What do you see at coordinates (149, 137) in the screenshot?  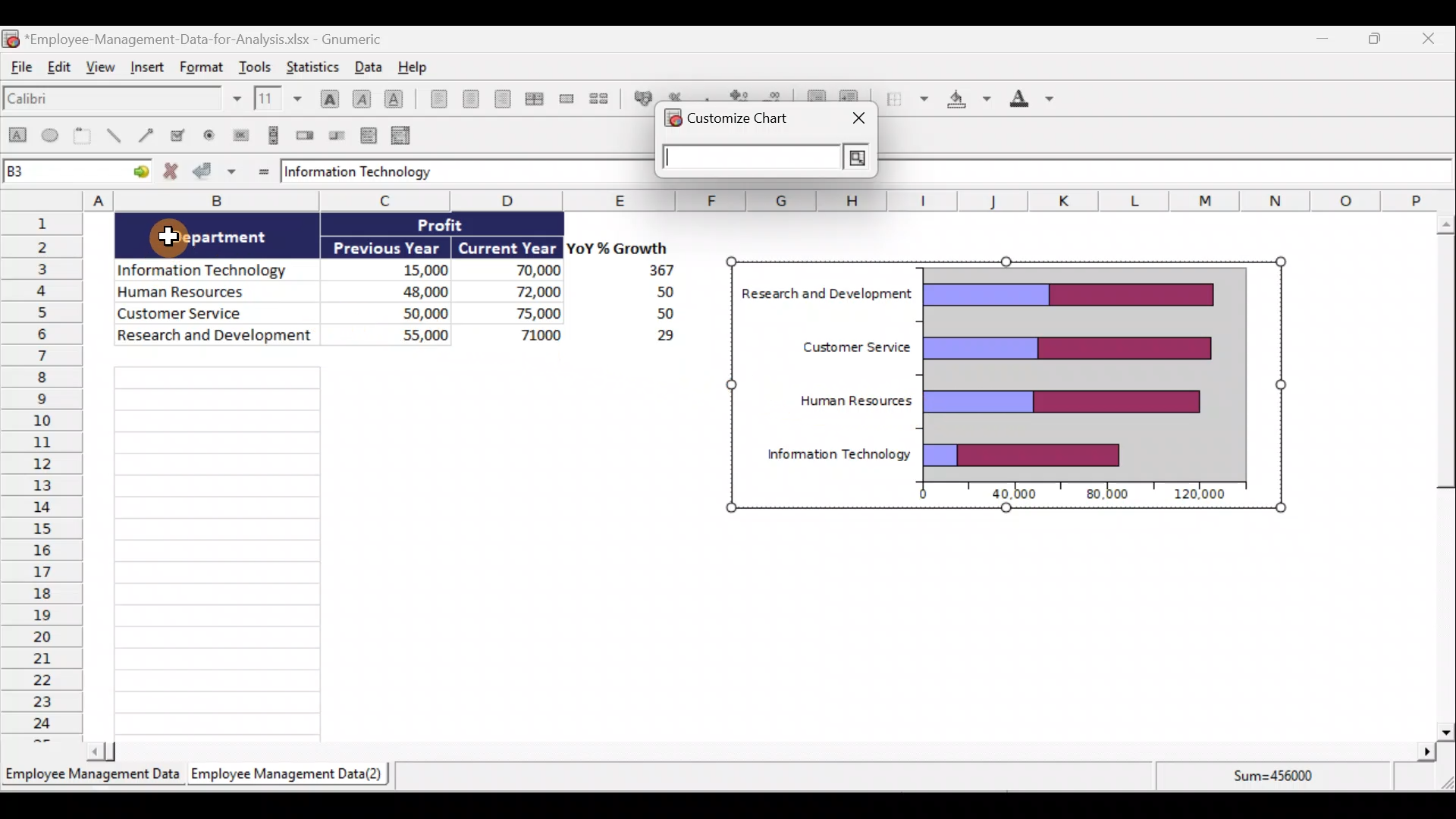 I see `Create an arrow object` at bounding box center [149, 137].